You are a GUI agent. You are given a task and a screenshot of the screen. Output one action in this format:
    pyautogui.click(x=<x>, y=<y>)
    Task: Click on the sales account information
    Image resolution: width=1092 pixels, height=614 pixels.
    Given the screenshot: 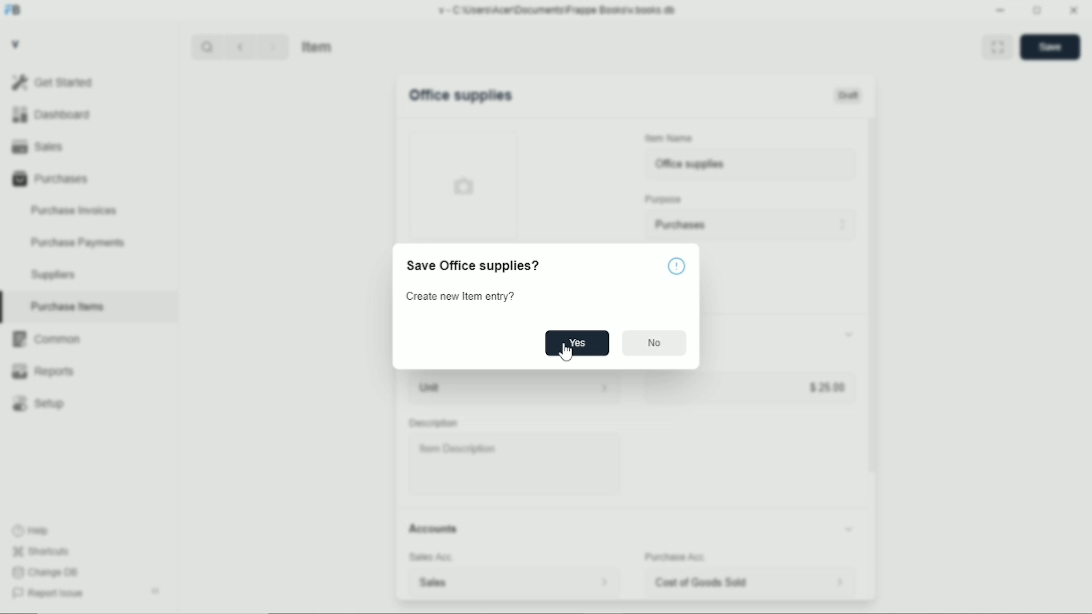 What is the action you would take?
    pyautogui.click(x=604, y=582)
    